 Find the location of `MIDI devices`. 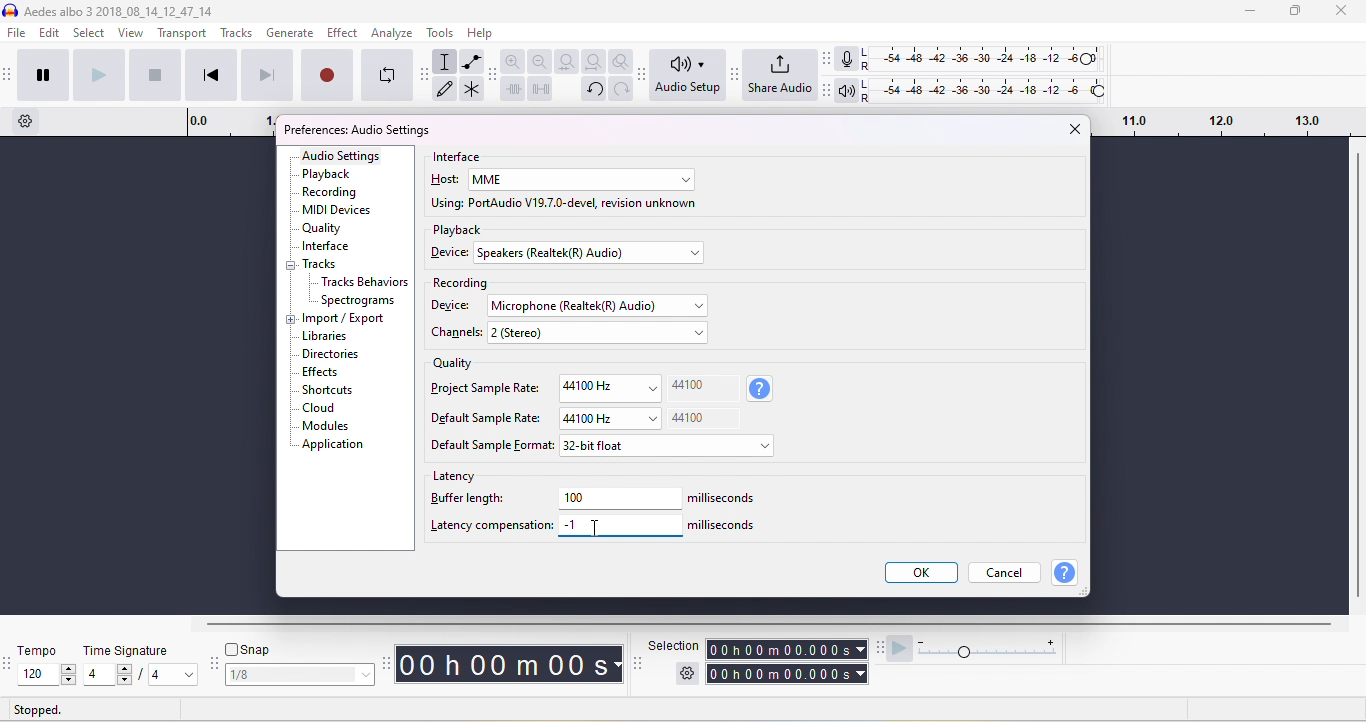

MIDI devices is located at coordinates (339, 211).